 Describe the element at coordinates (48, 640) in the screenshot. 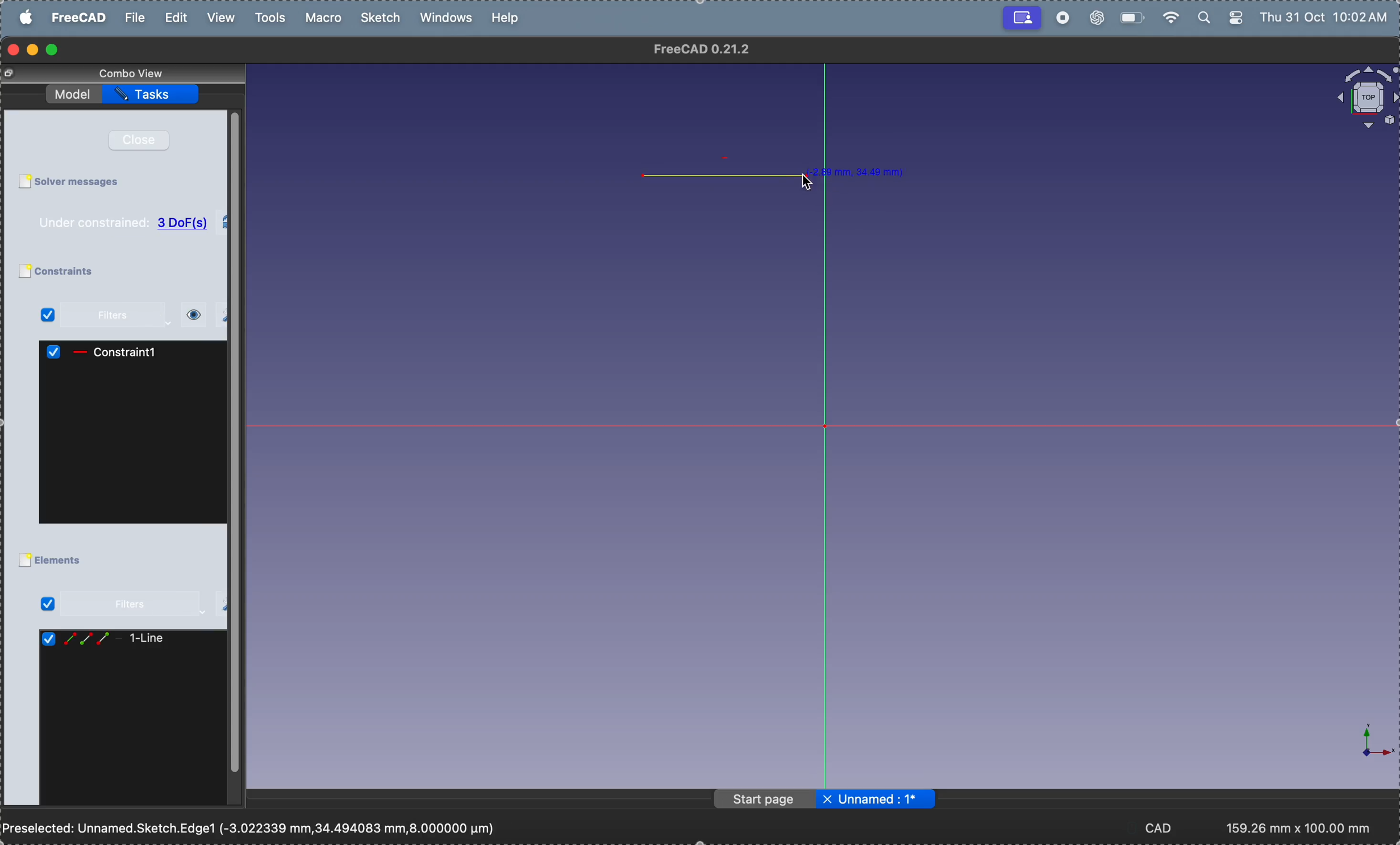

I see `Checked Checkbox` at that location.